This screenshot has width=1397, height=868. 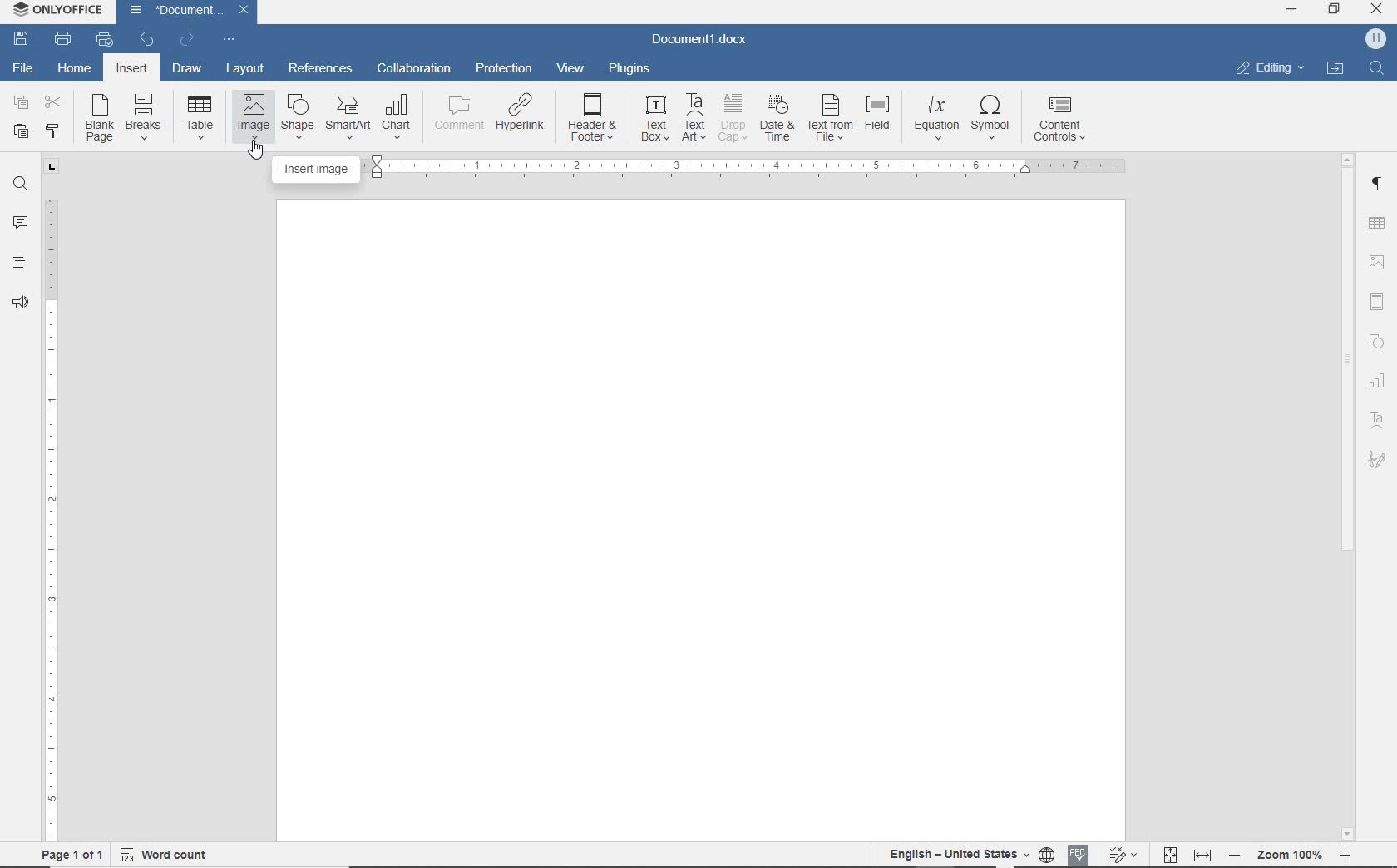 I want to click on feedback & support, so click(x=22, y=301).